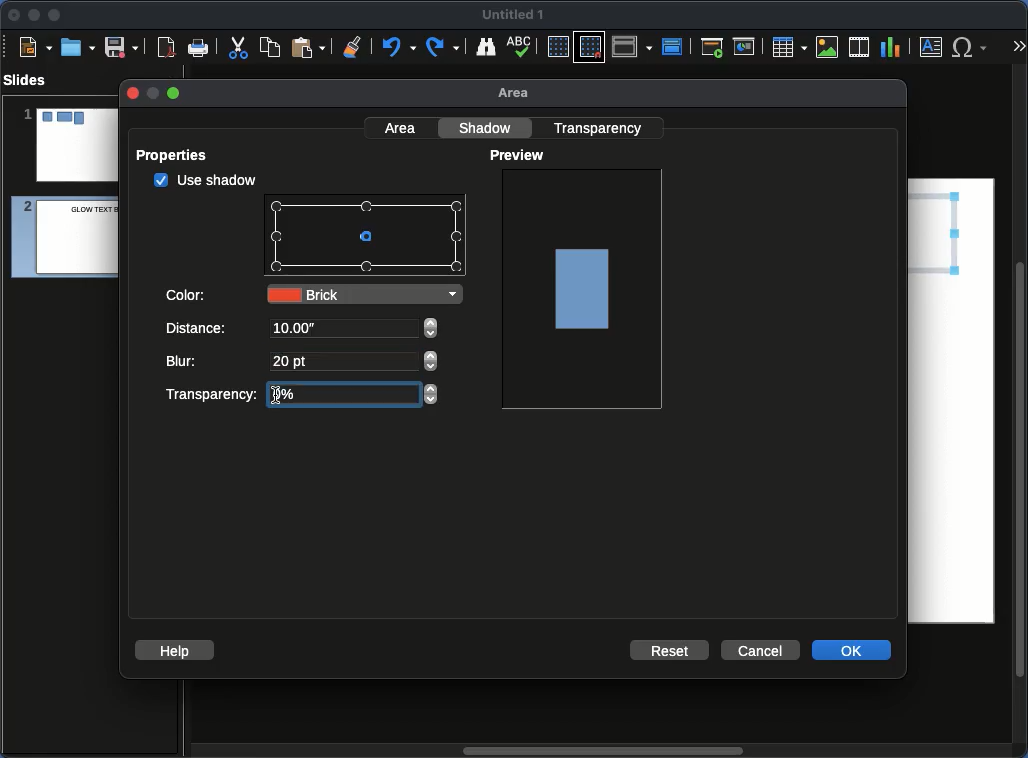  I want to click on Chart, so click(890, 48).